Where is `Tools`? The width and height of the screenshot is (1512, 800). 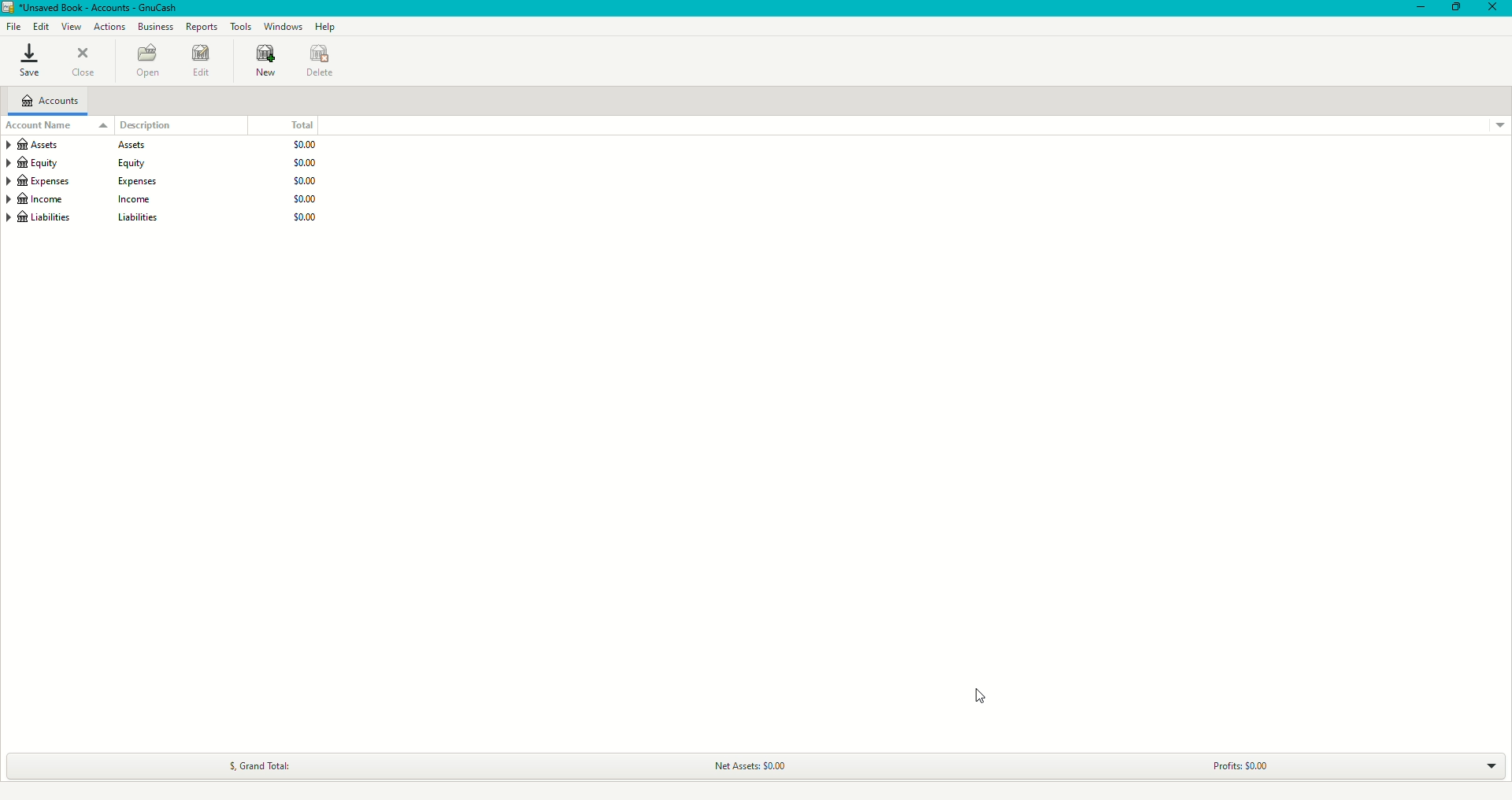
Tools is located at coordinates (239, 27).